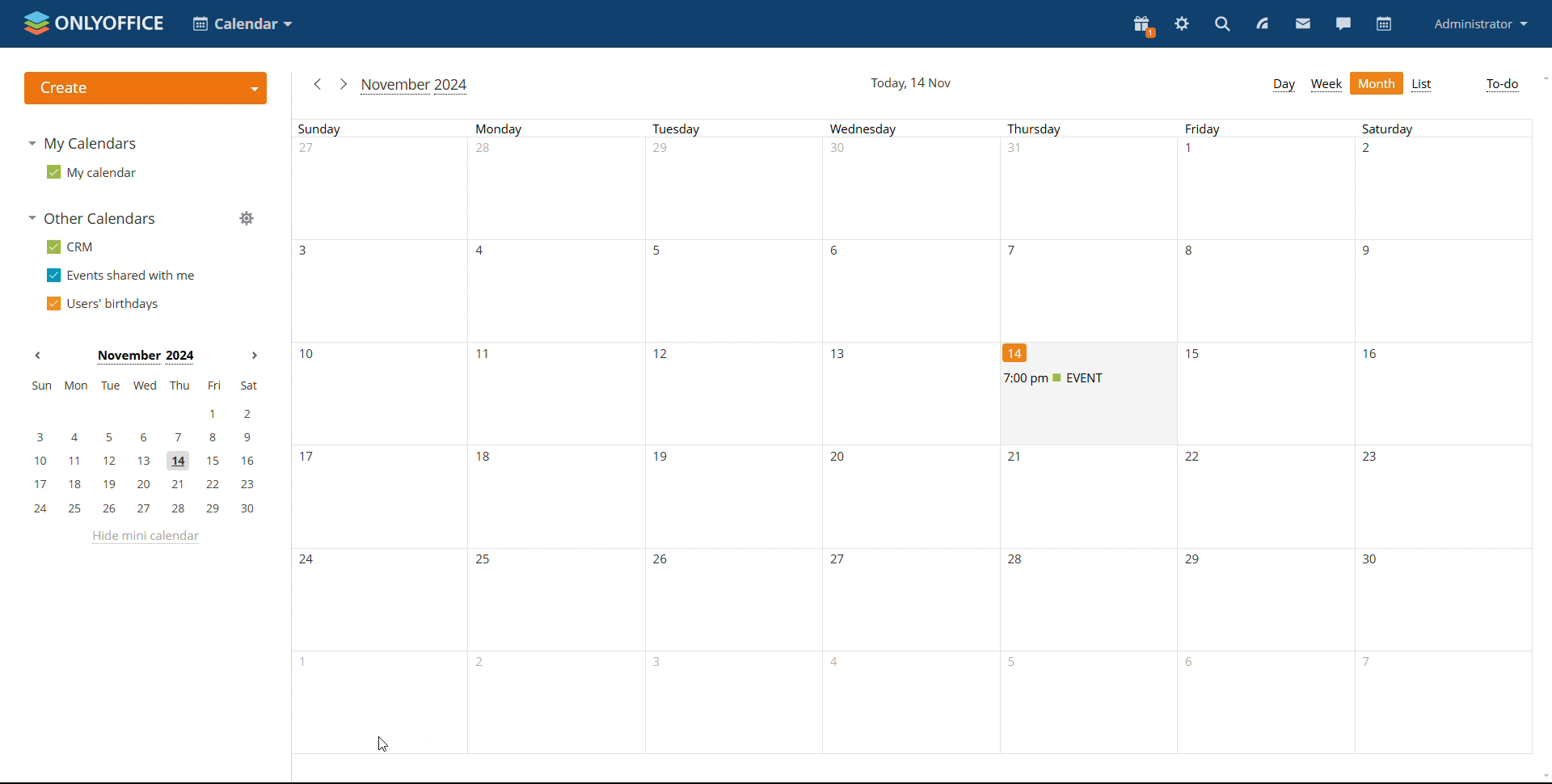 The height and width of the screenshot is (784, 1552). Describe the element at coordinates (1020, 352) in the screenshot. I see `14th ` at that location.